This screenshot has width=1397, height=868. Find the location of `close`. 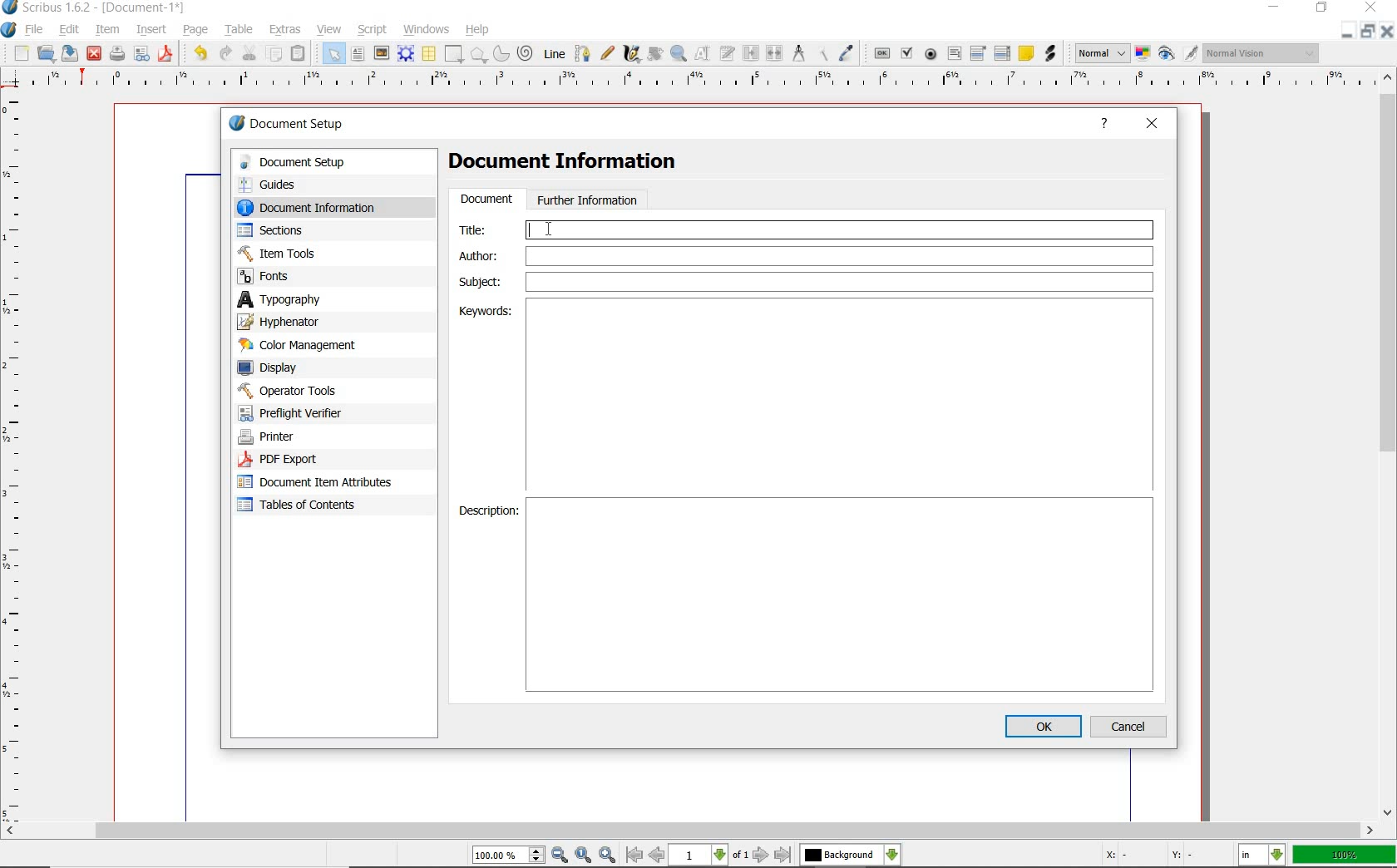

close is located at coordinates (95, 55).